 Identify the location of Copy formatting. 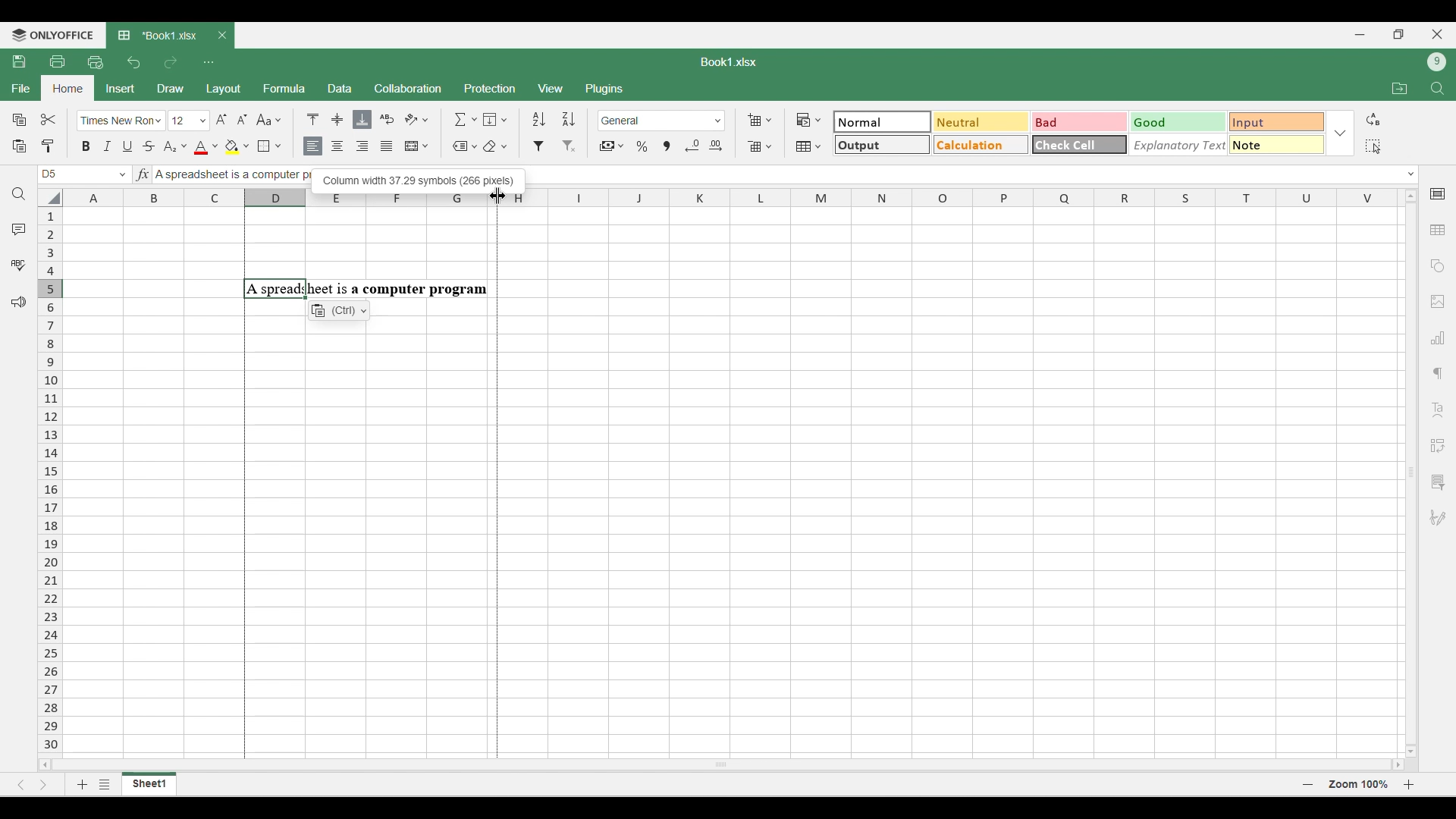
(49, 146).